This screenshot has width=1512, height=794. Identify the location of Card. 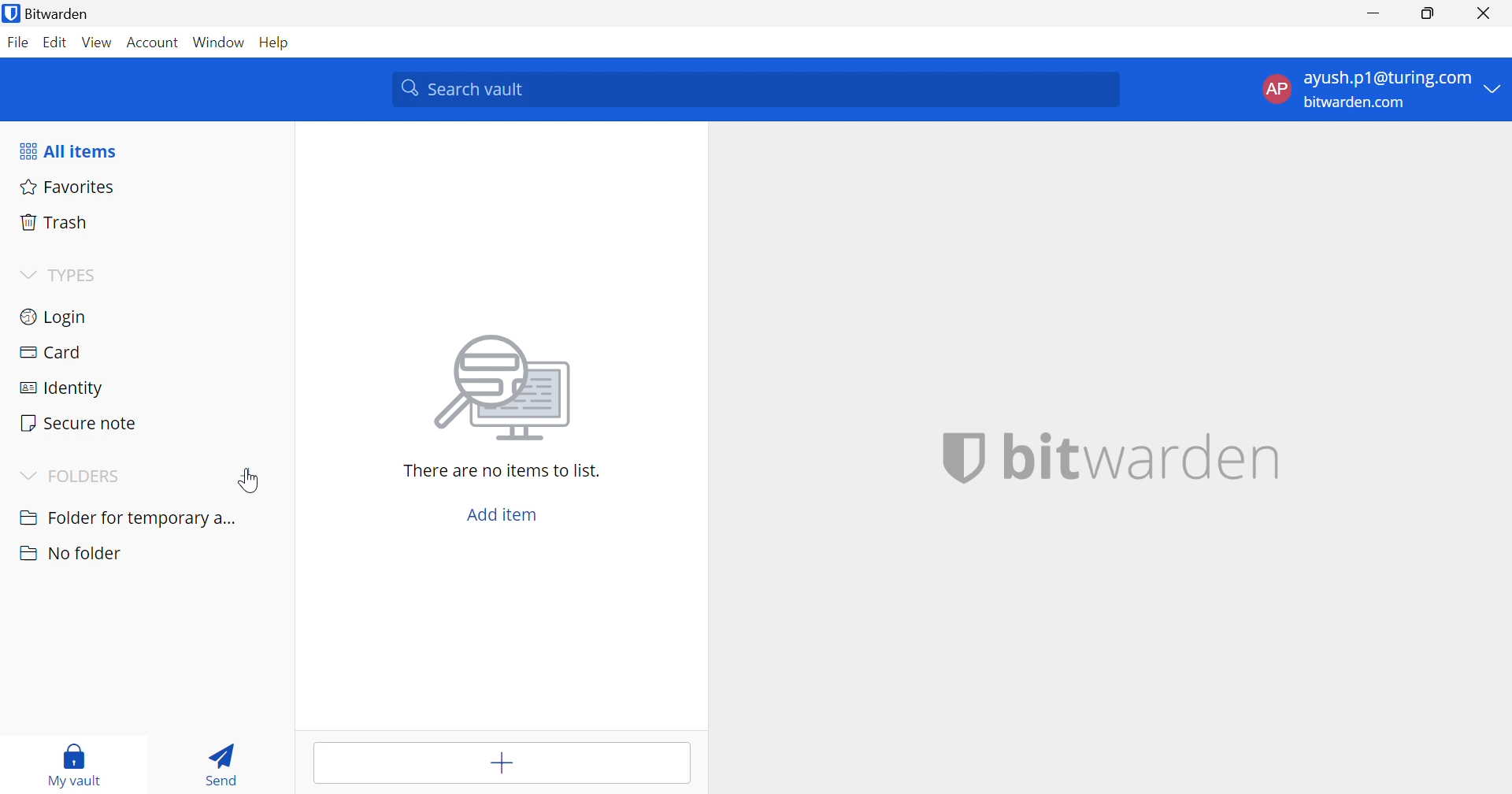
(50, 353).